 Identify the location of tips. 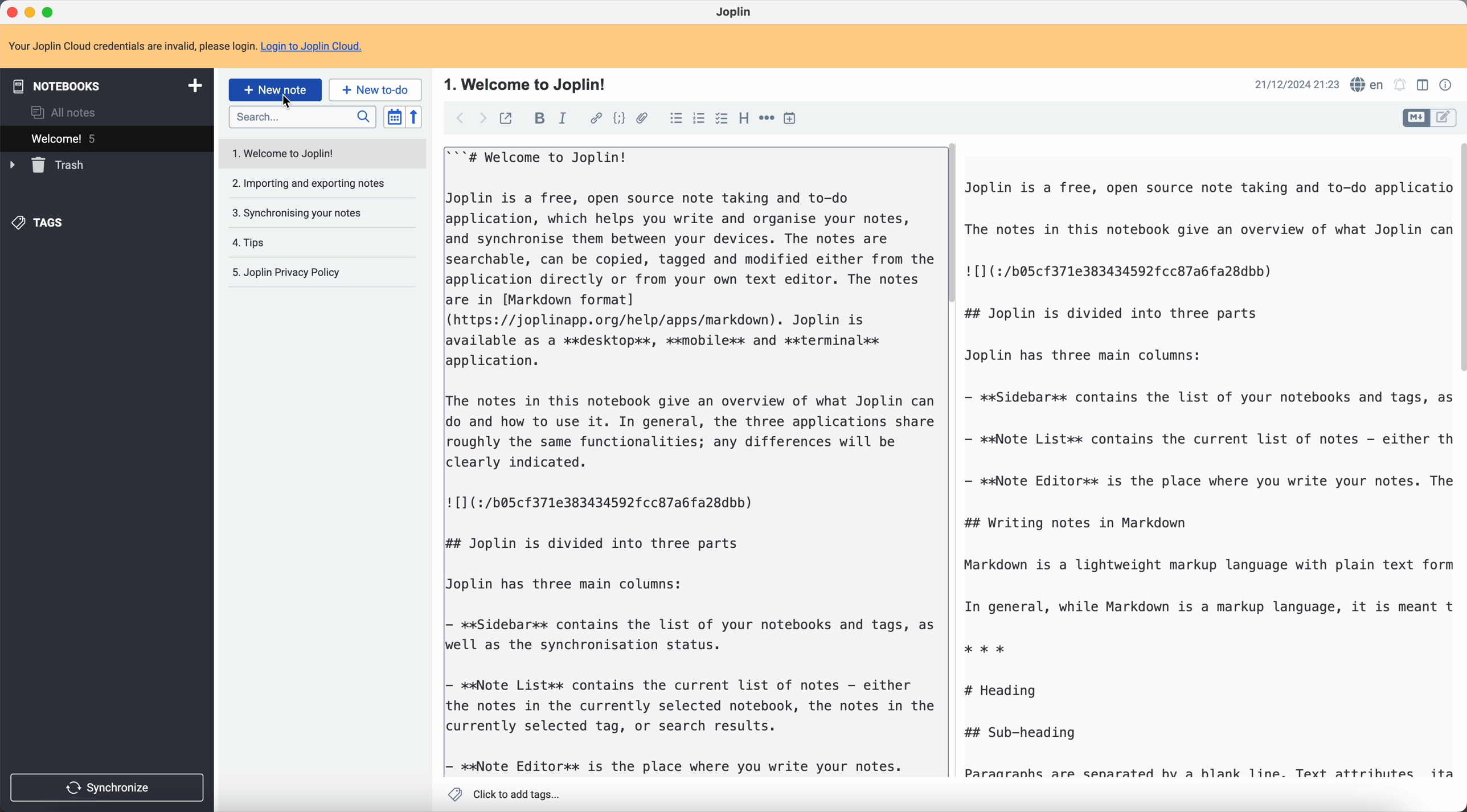
(249, 243).